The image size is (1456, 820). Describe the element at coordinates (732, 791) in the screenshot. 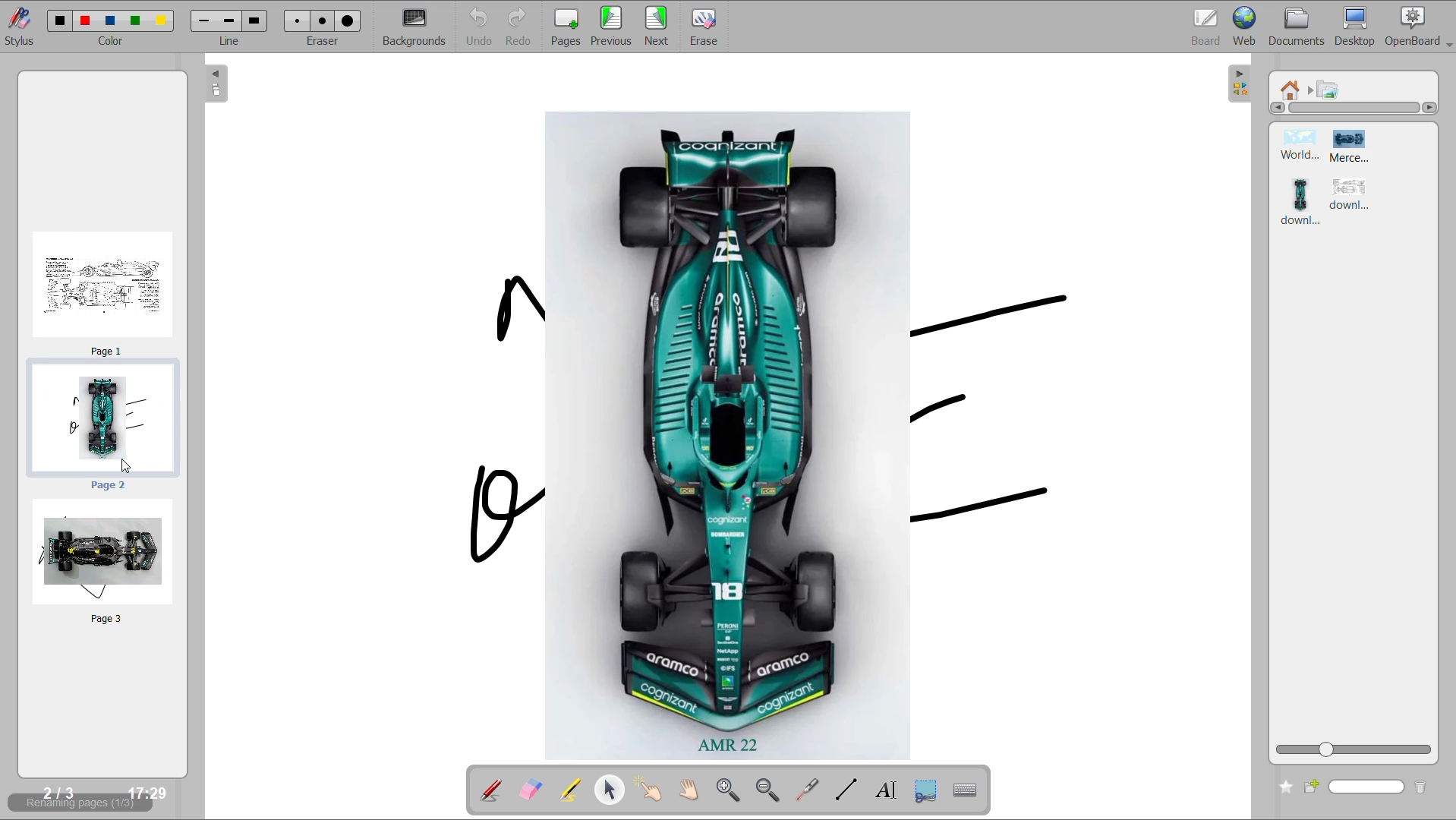

I see `zoom in` at that location.